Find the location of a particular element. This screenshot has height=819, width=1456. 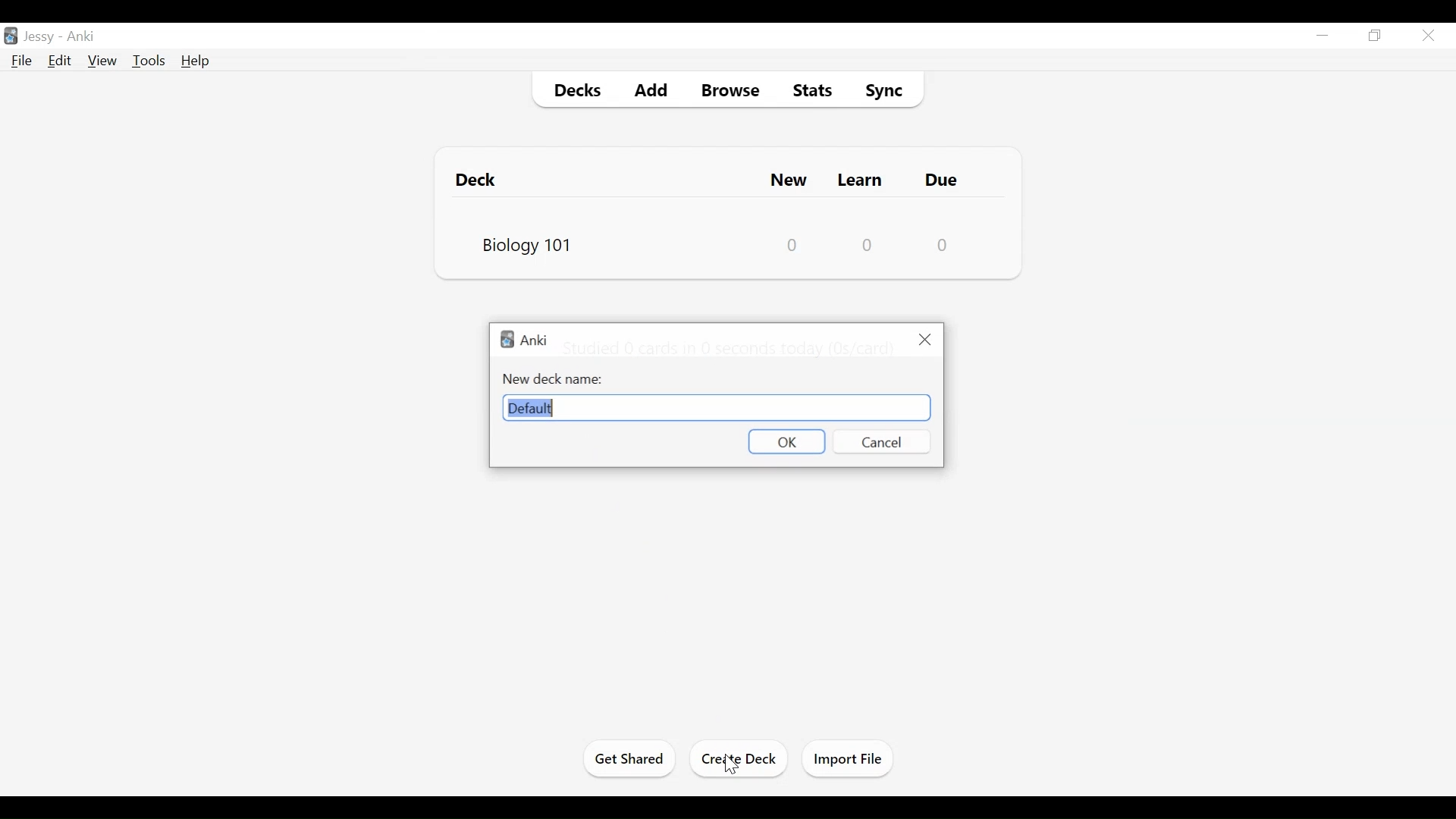

Import Files is located at coordinates (848, 758).